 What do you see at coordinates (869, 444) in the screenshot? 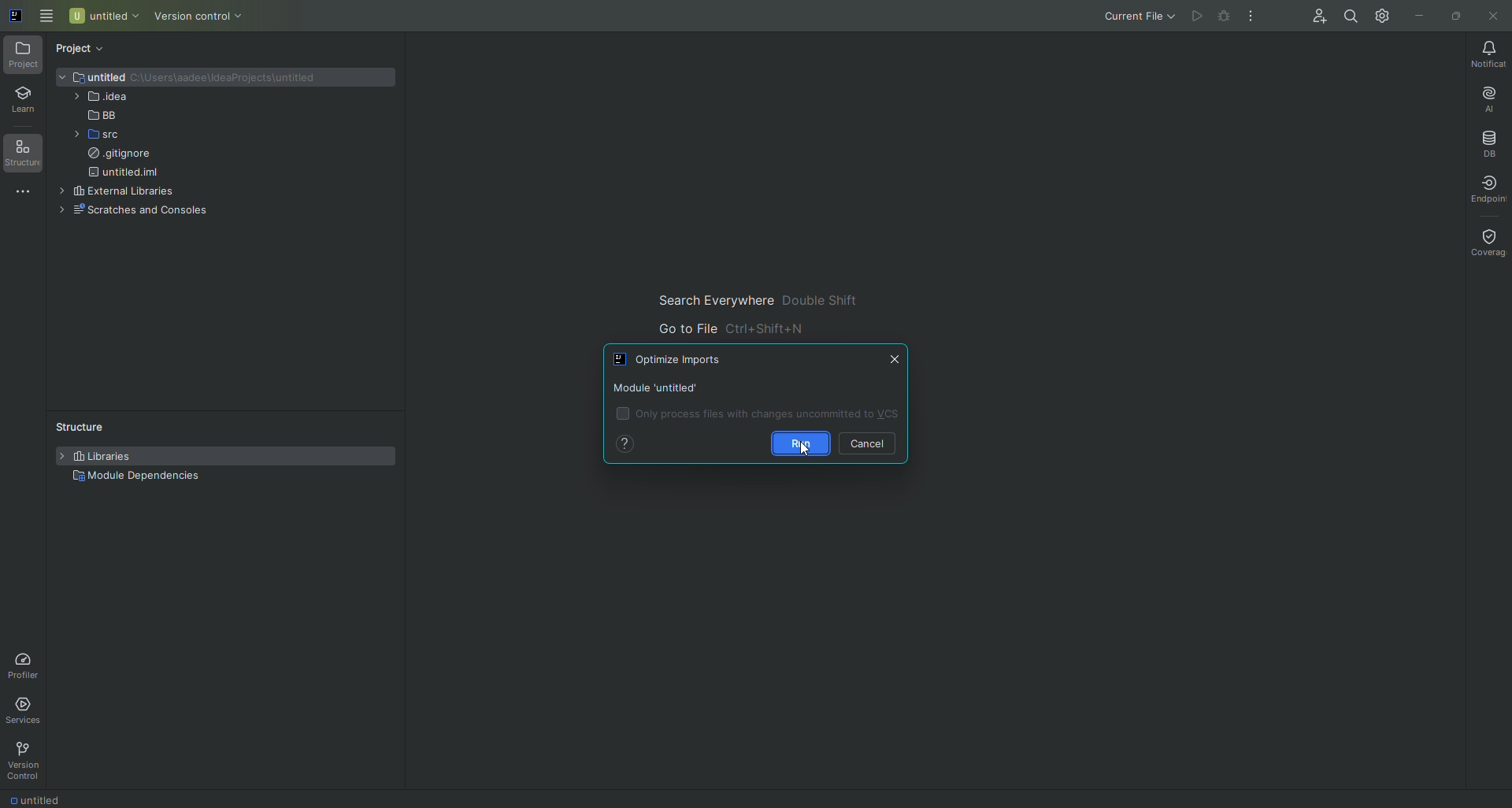
I see `Cancel` at bounding box center [869, 444].